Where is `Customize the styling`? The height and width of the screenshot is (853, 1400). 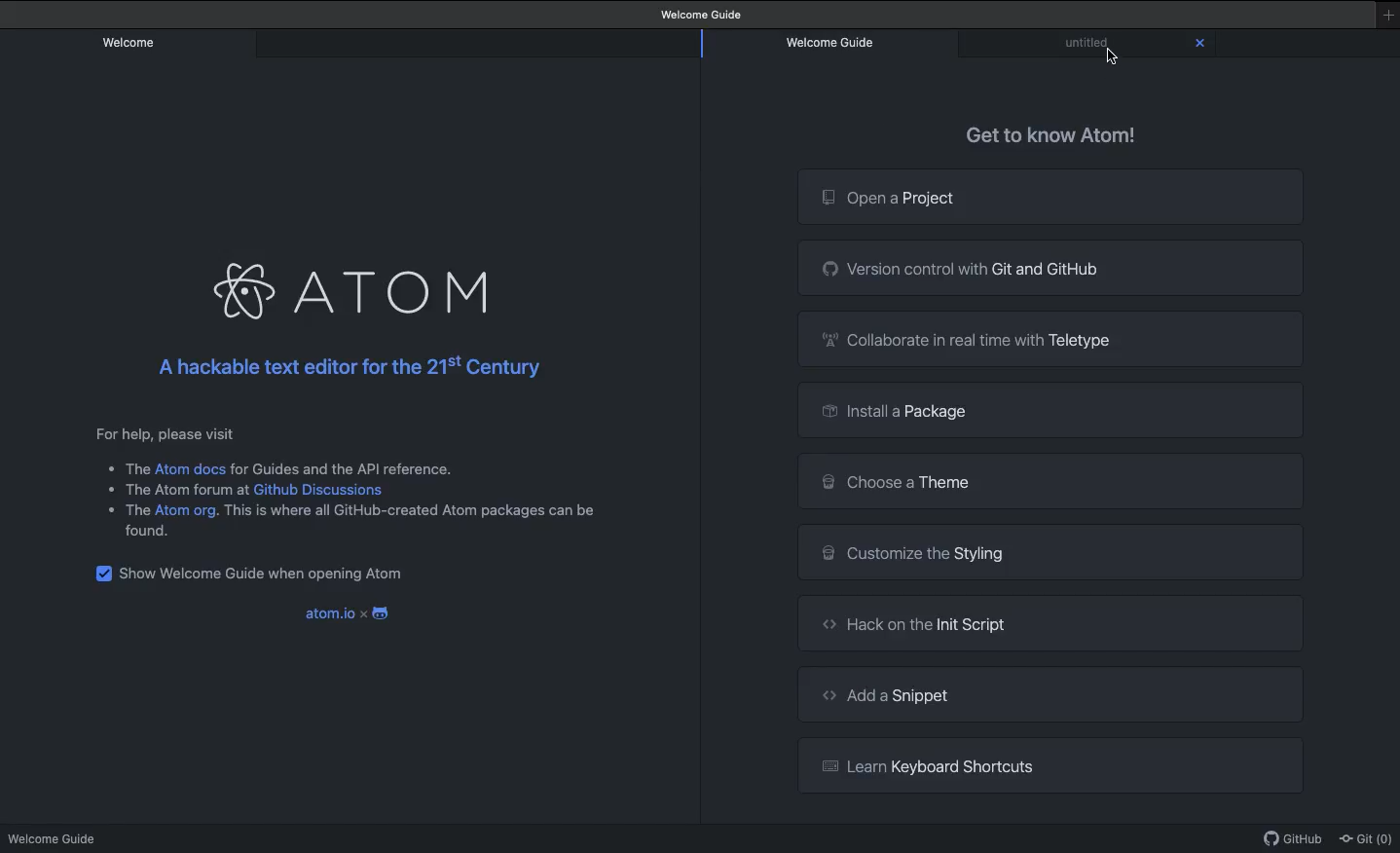 Customize the styling is located at coordinates (1050, 552).